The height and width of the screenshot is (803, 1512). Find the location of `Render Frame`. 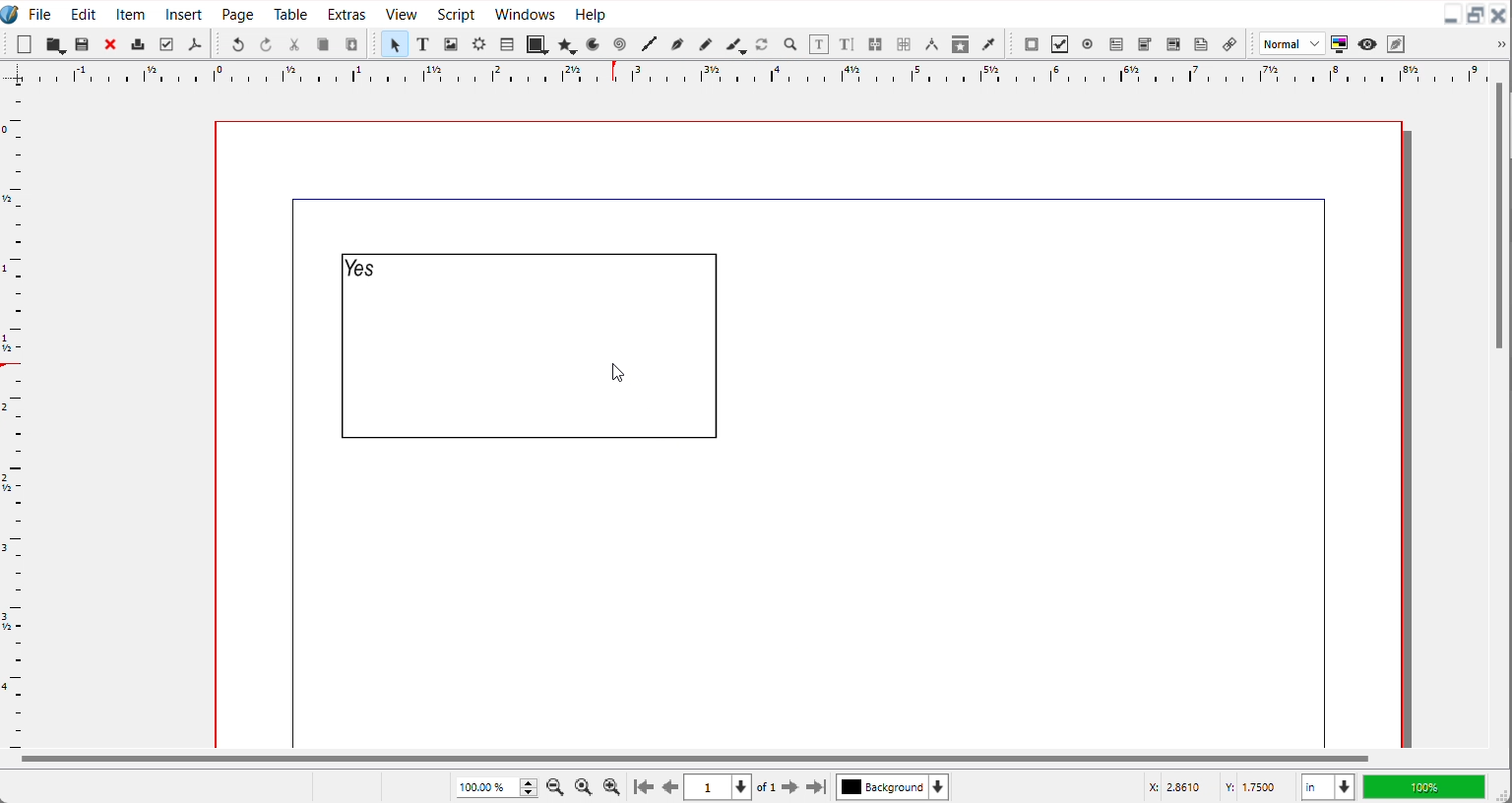

Render Frame is located at coordinates (478, 43).